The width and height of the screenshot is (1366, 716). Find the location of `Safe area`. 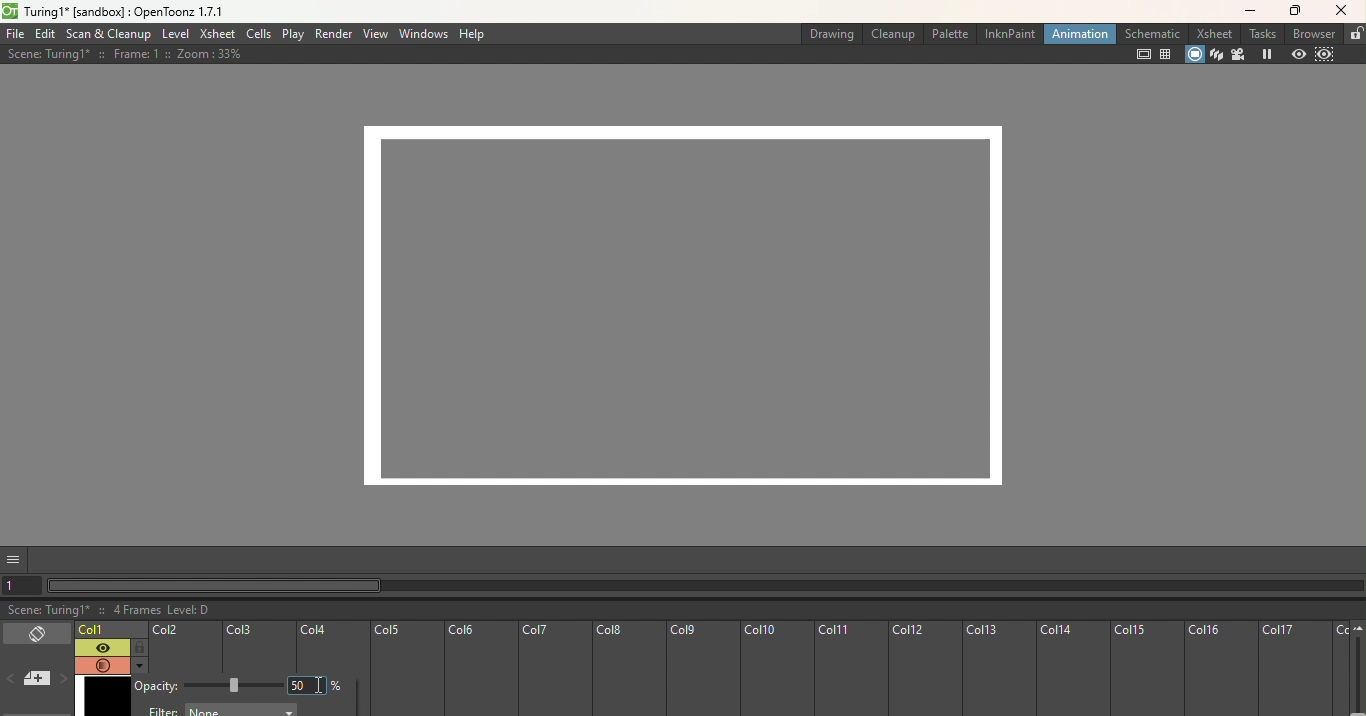

Safe area is located at coordinates (1139, 55).